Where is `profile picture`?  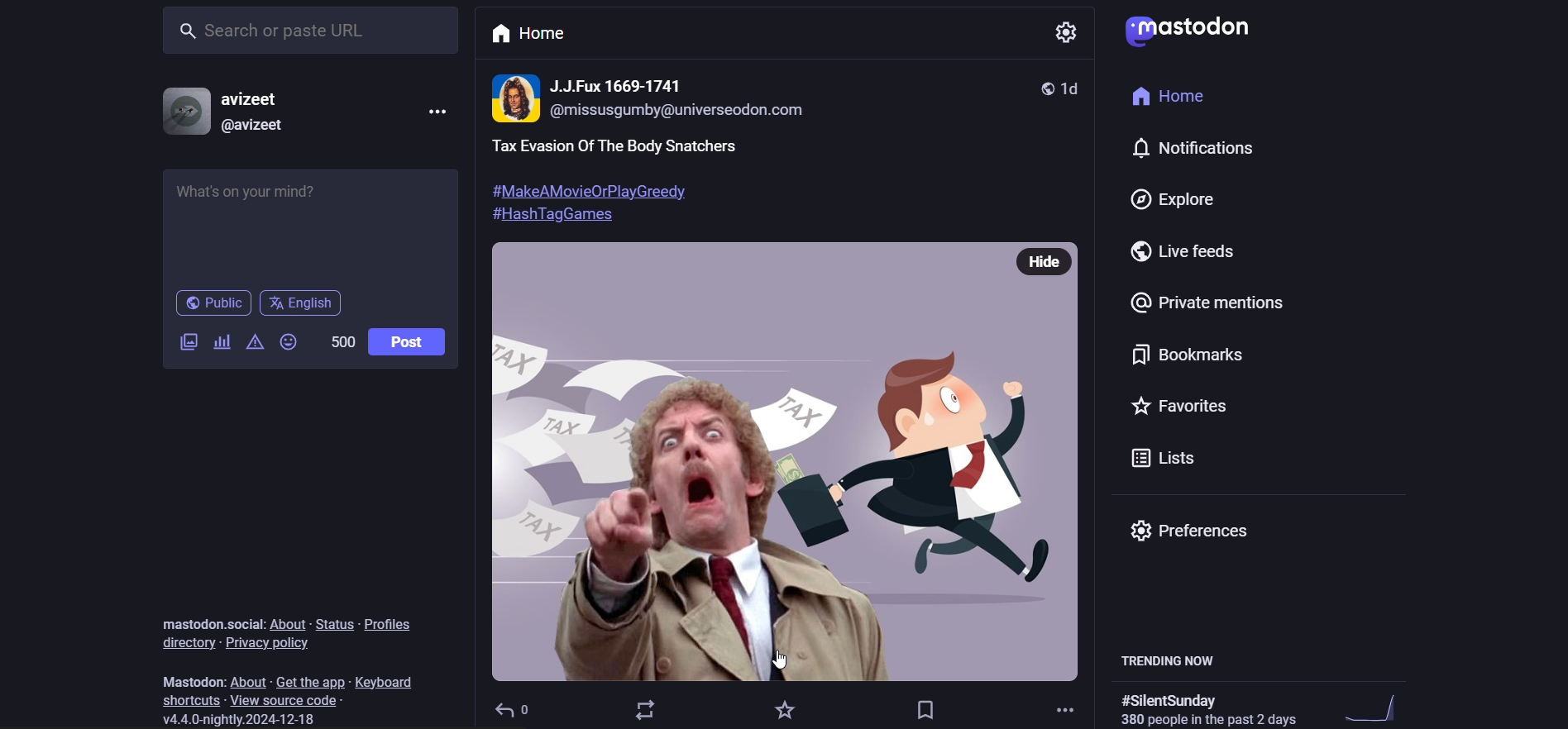 profile picture is located at coordinates (516, 98).